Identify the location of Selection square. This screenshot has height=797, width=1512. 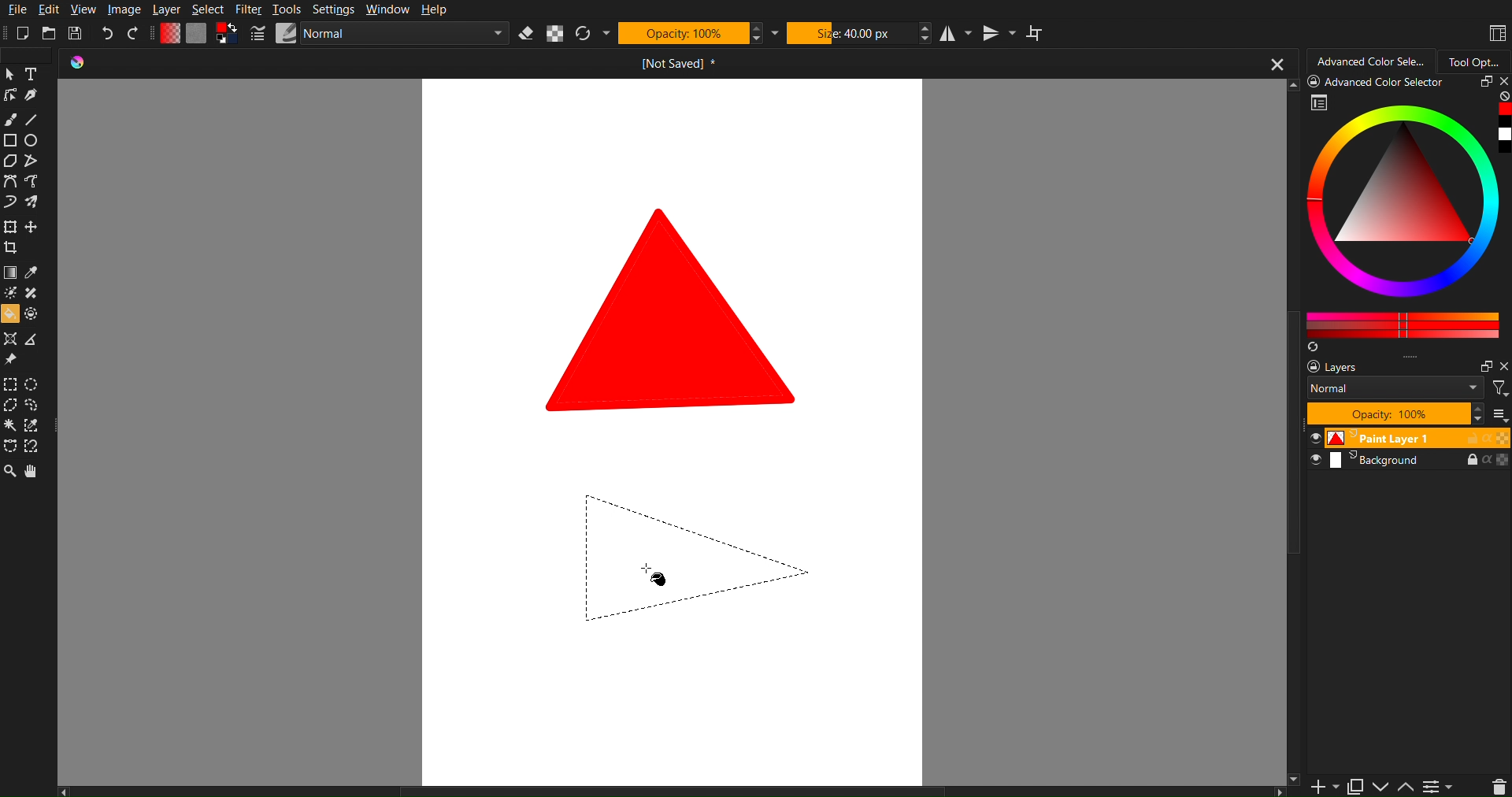
(9, 384).